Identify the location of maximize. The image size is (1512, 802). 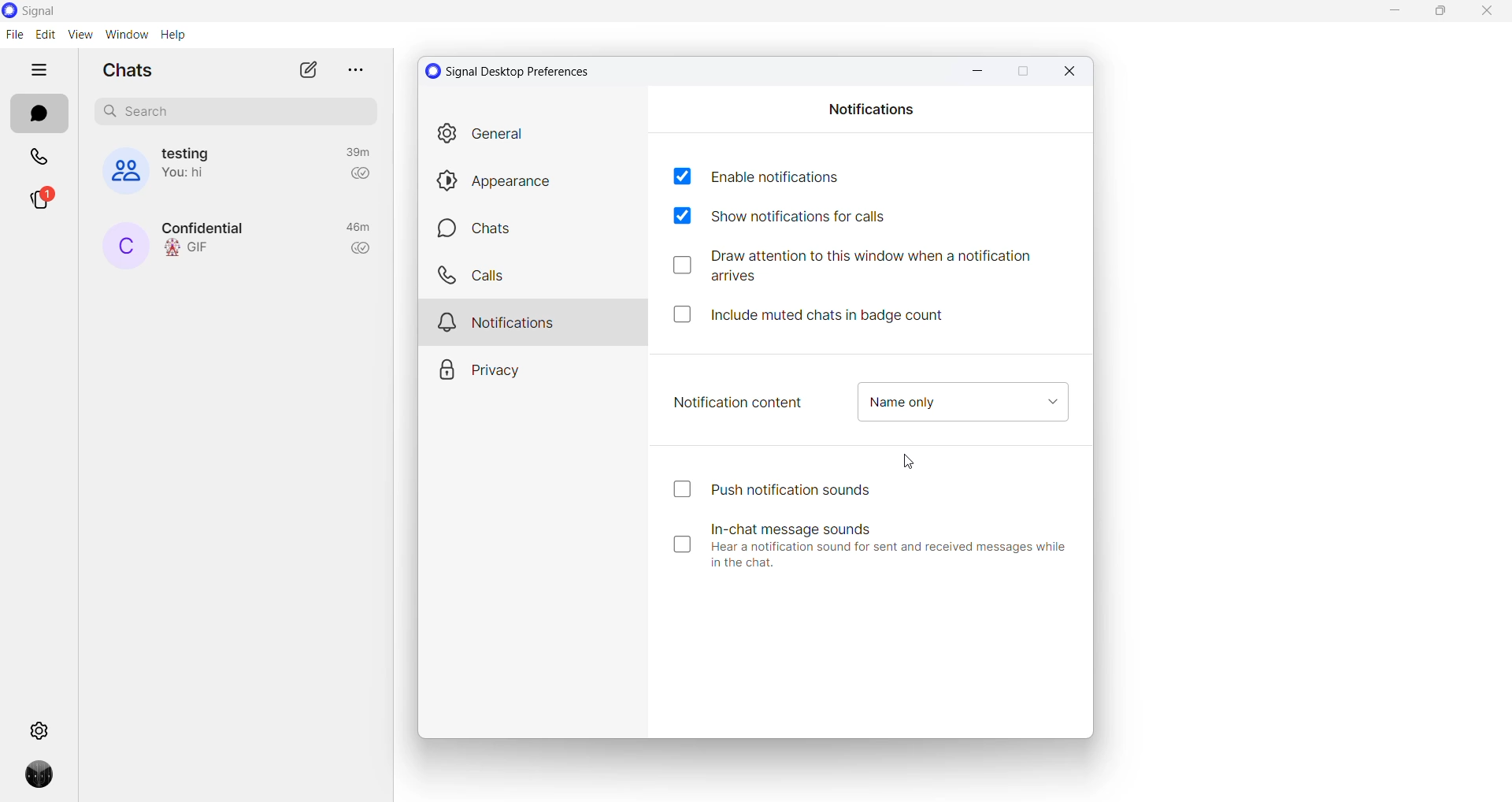
(1440, 14).